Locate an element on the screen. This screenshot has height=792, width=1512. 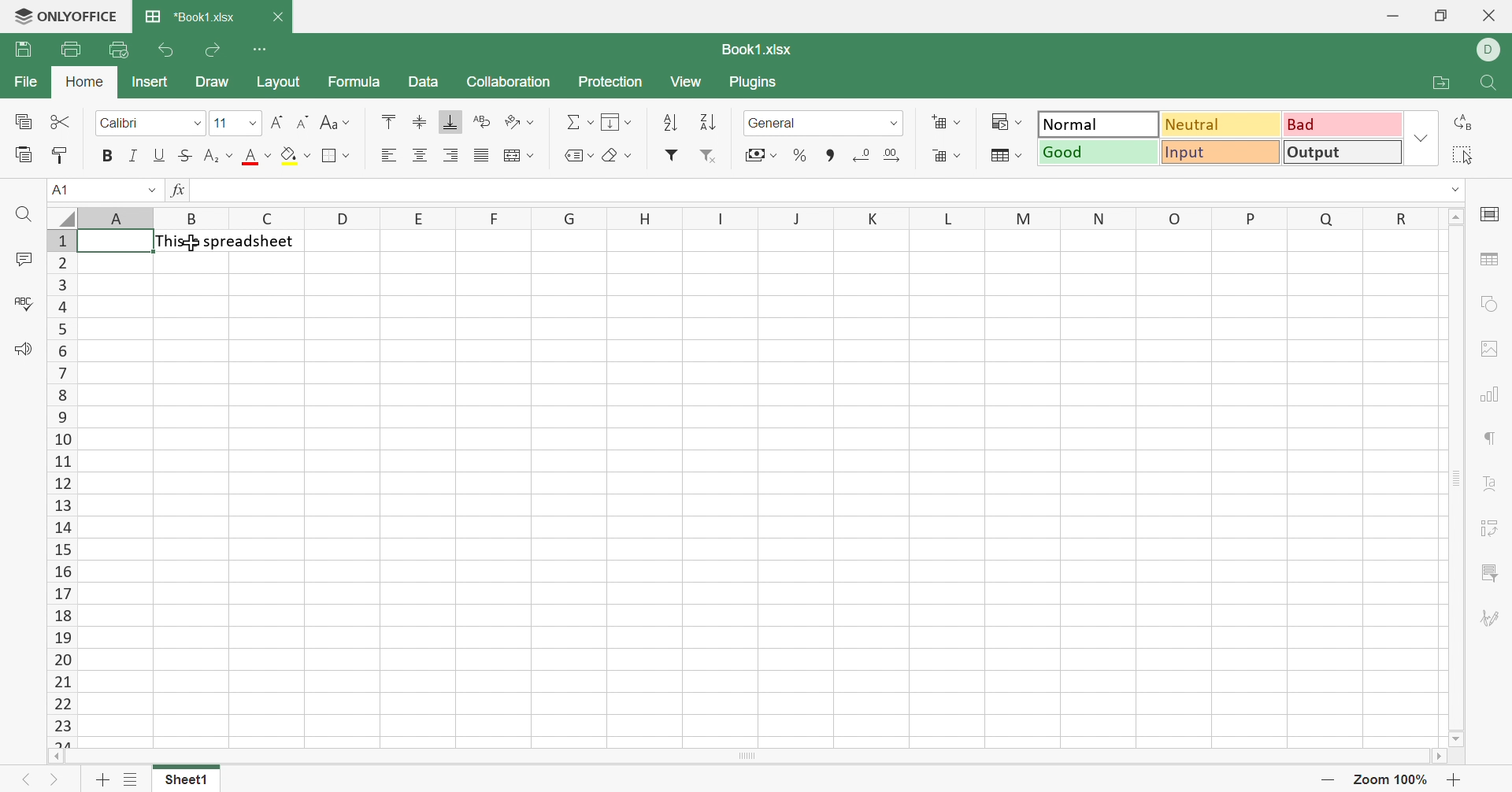
Calibri is located at coordinates (123, 124).